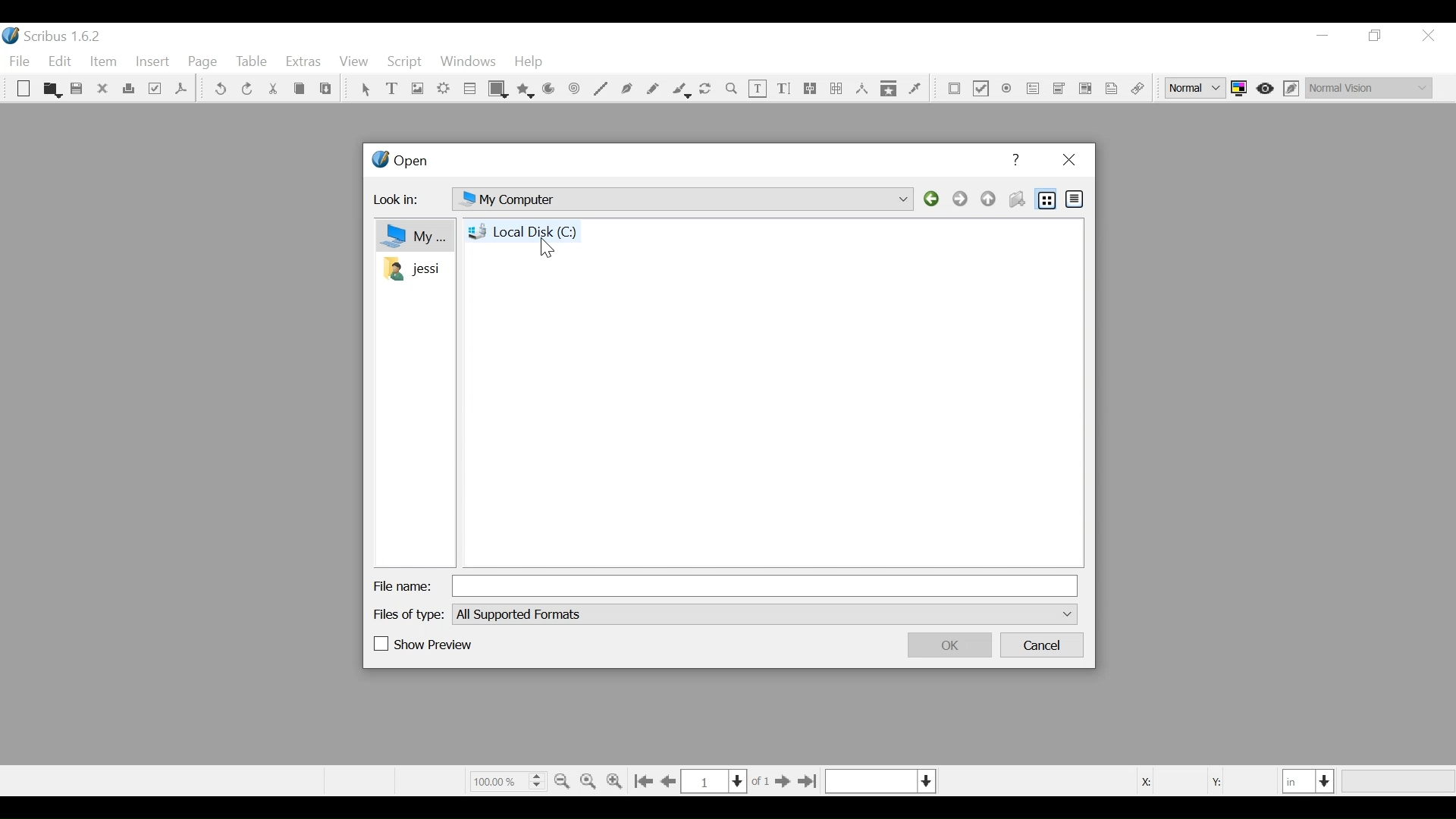  What do you see at coordinates (1266, 88) in the screenshot?
I see `Toggle focus` at bounding box center [1266, 88].